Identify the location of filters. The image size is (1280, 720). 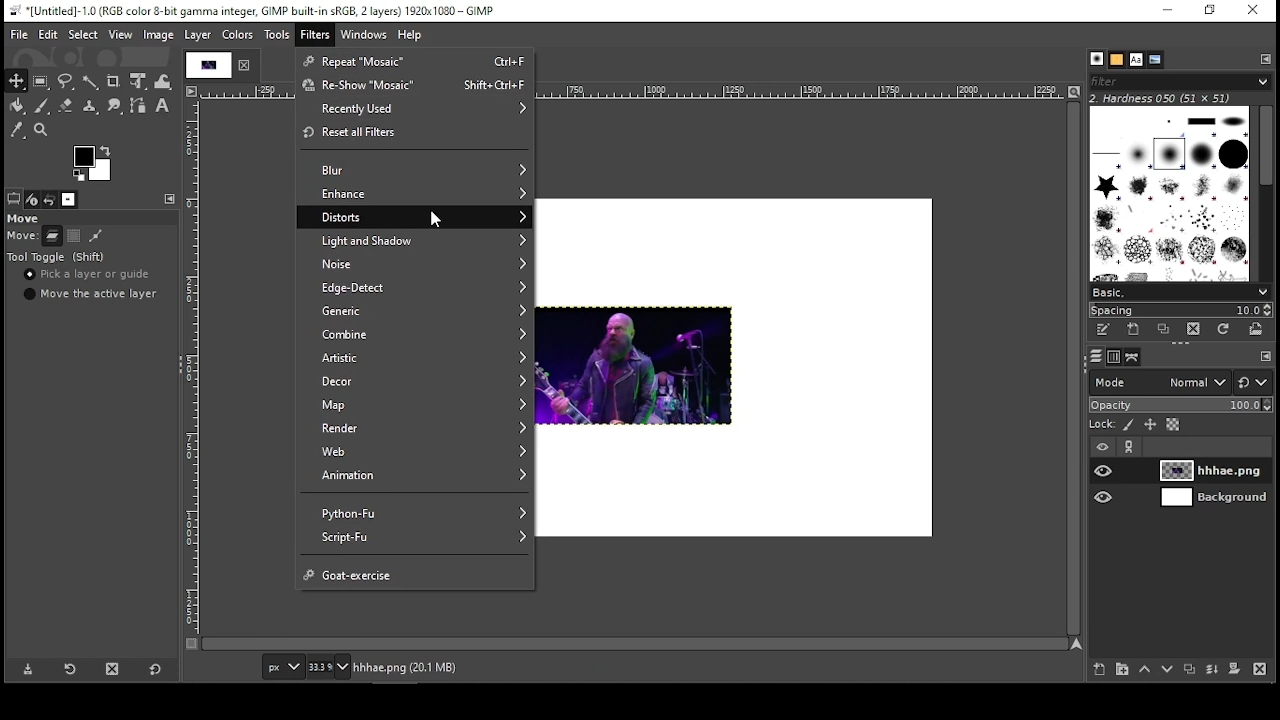
(314, 32).